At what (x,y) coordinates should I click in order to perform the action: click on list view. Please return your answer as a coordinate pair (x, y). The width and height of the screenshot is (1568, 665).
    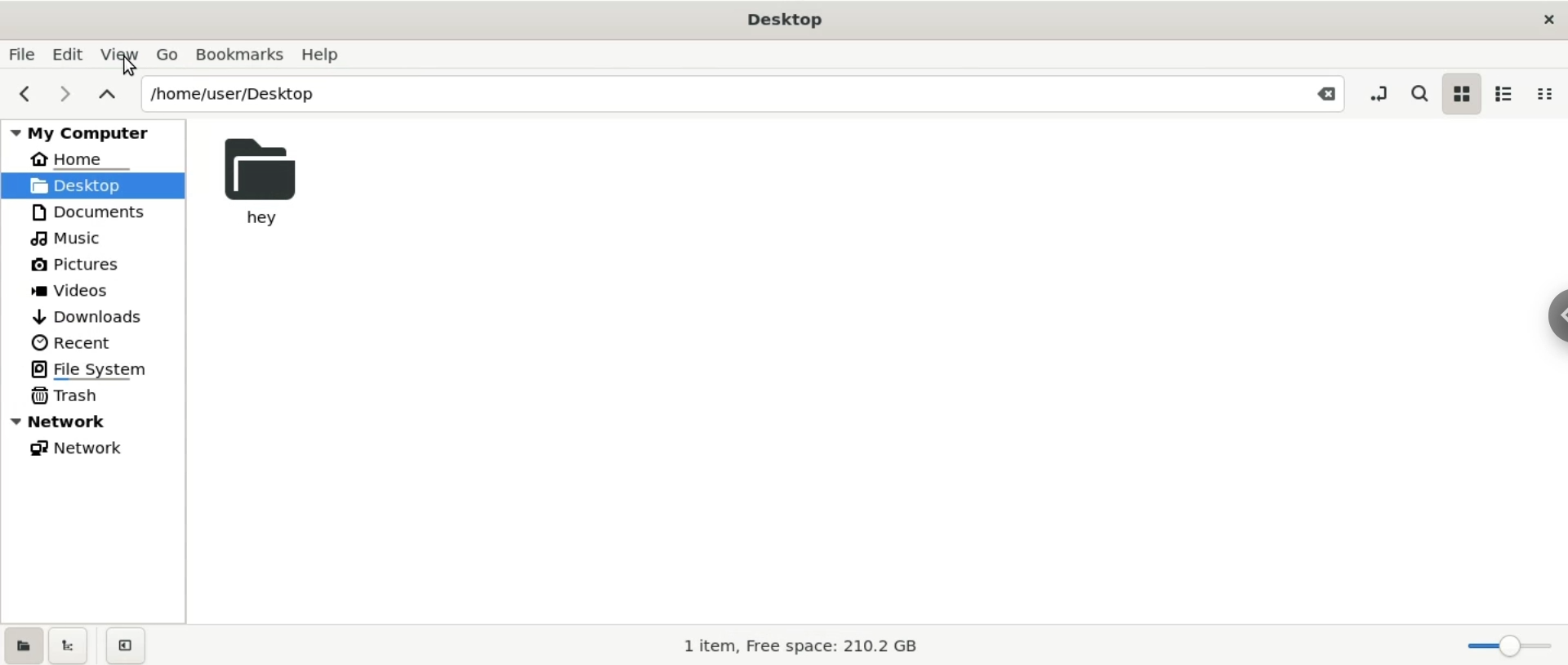
    Looking at the image, I should click on (1507, 96).